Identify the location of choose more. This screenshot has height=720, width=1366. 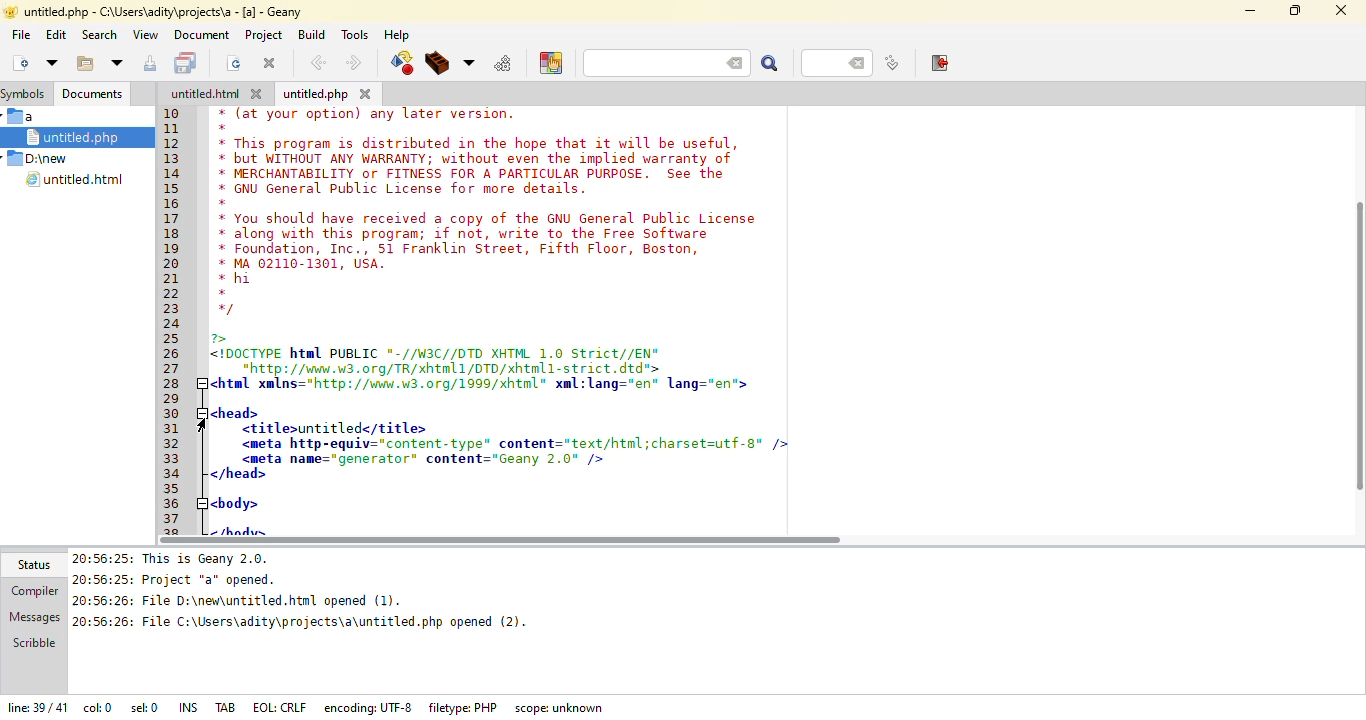
(469, 64).